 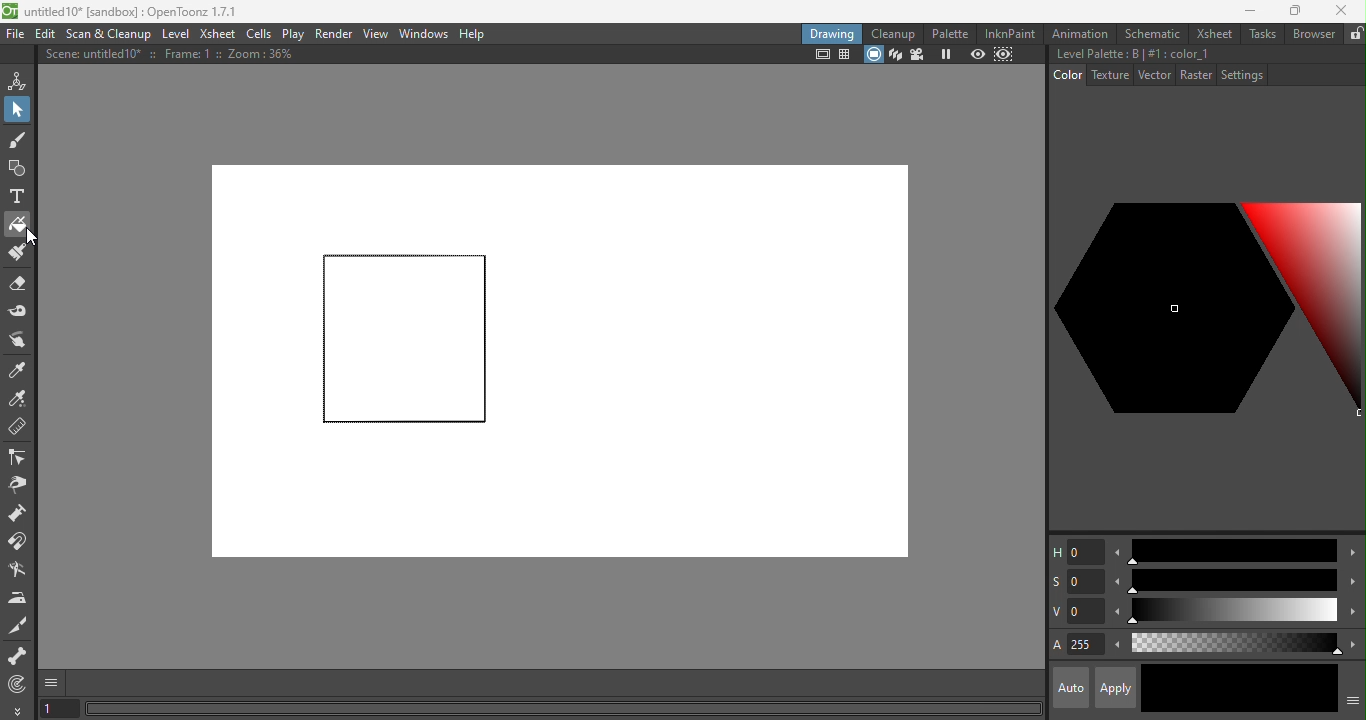 I want to click on H, so click(x=1076, y=551).